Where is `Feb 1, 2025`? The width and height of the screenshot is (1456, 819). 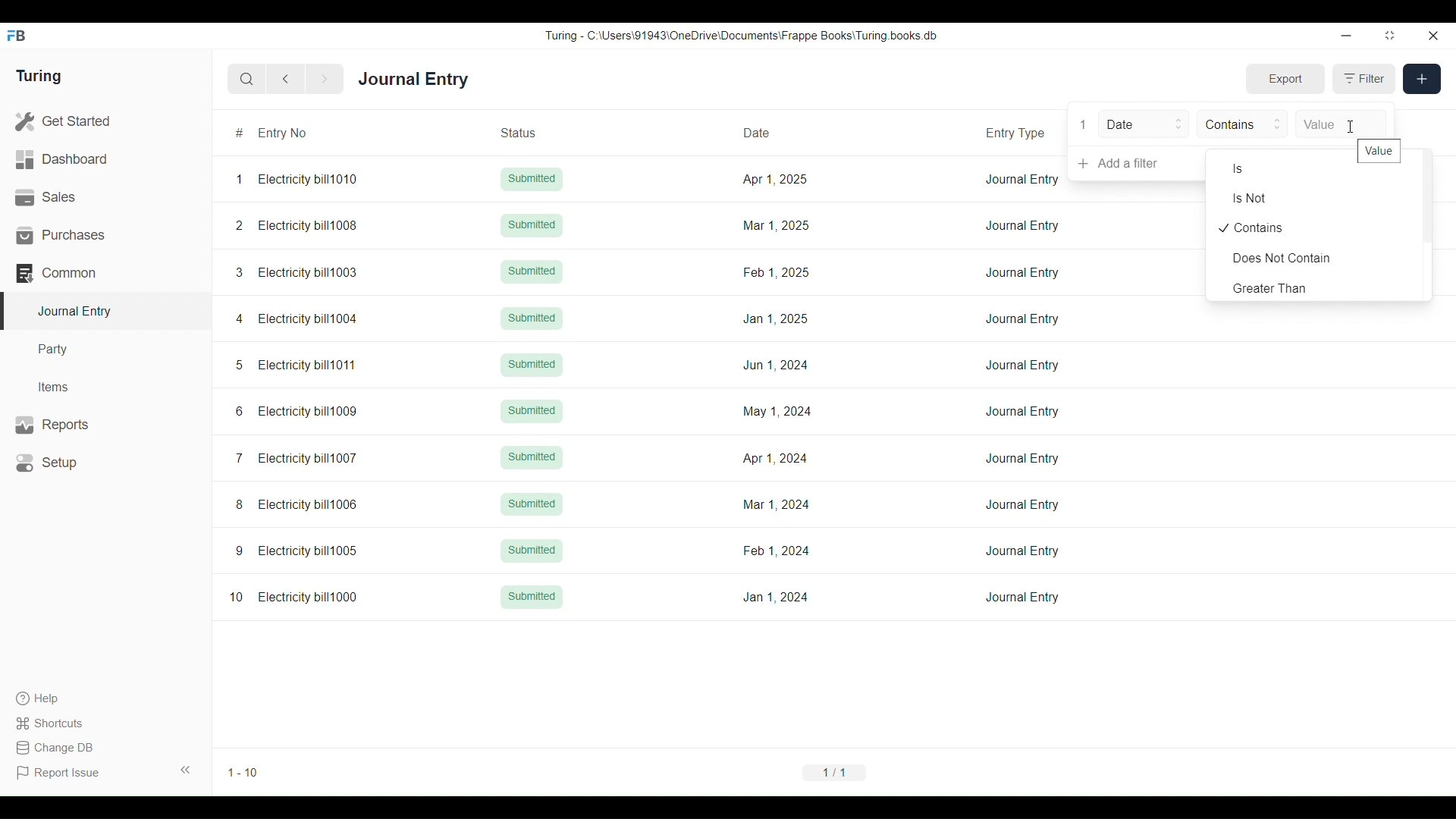
Feb 1, 2025 is located at coordinates (777, 271).